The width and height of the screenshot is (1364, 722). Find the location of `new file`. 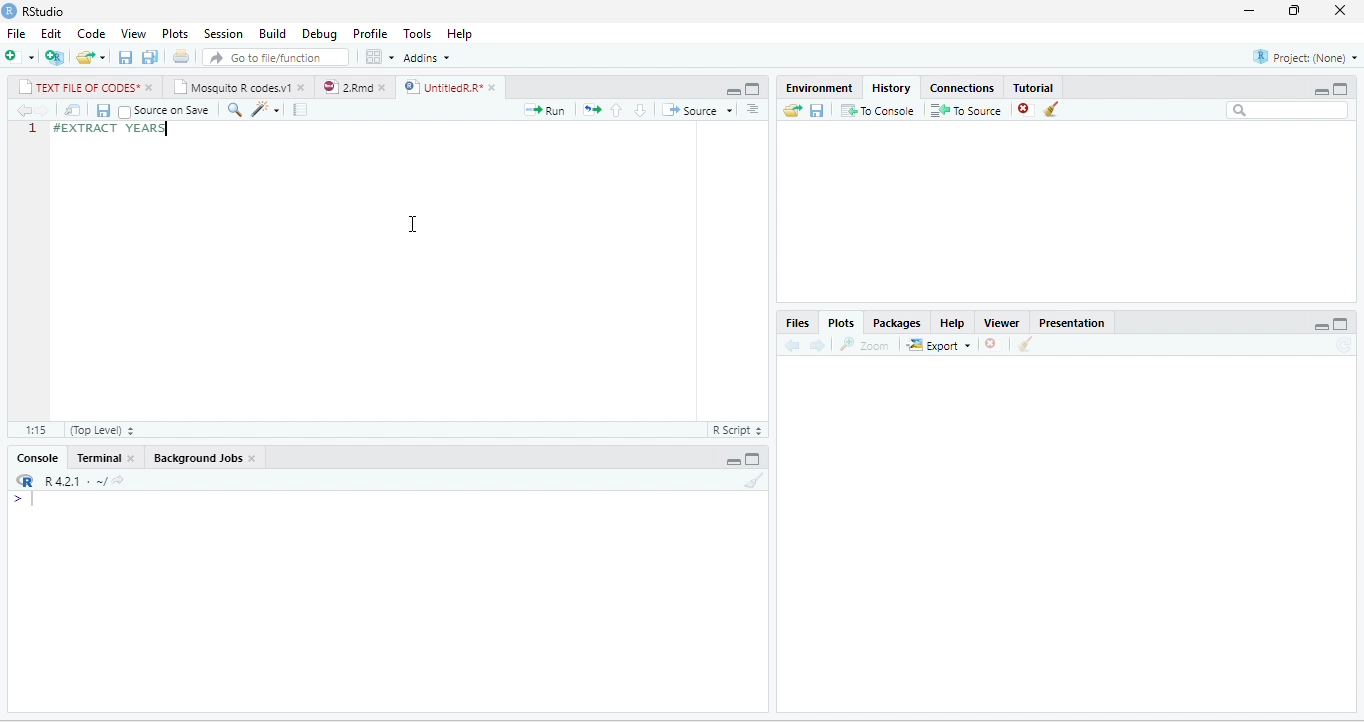

new file is located at coordinates (20, 57).